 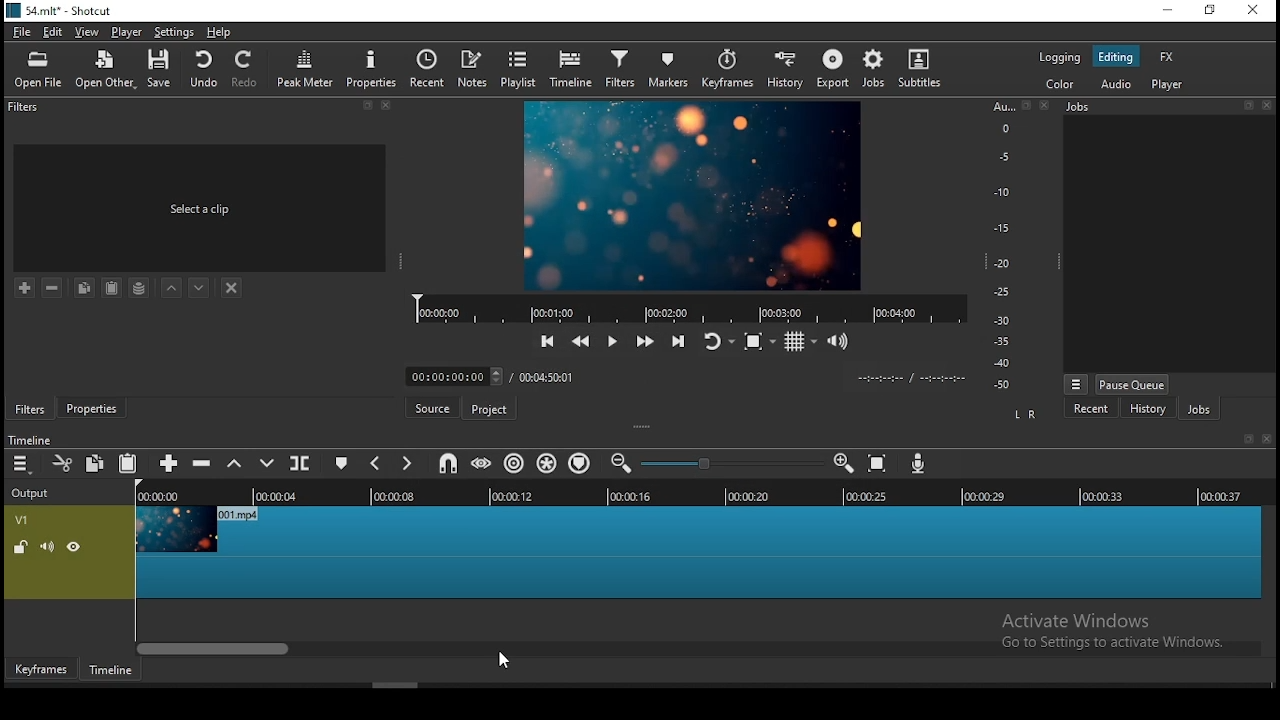 I want to click on jobs, so click(x=875, y=68).